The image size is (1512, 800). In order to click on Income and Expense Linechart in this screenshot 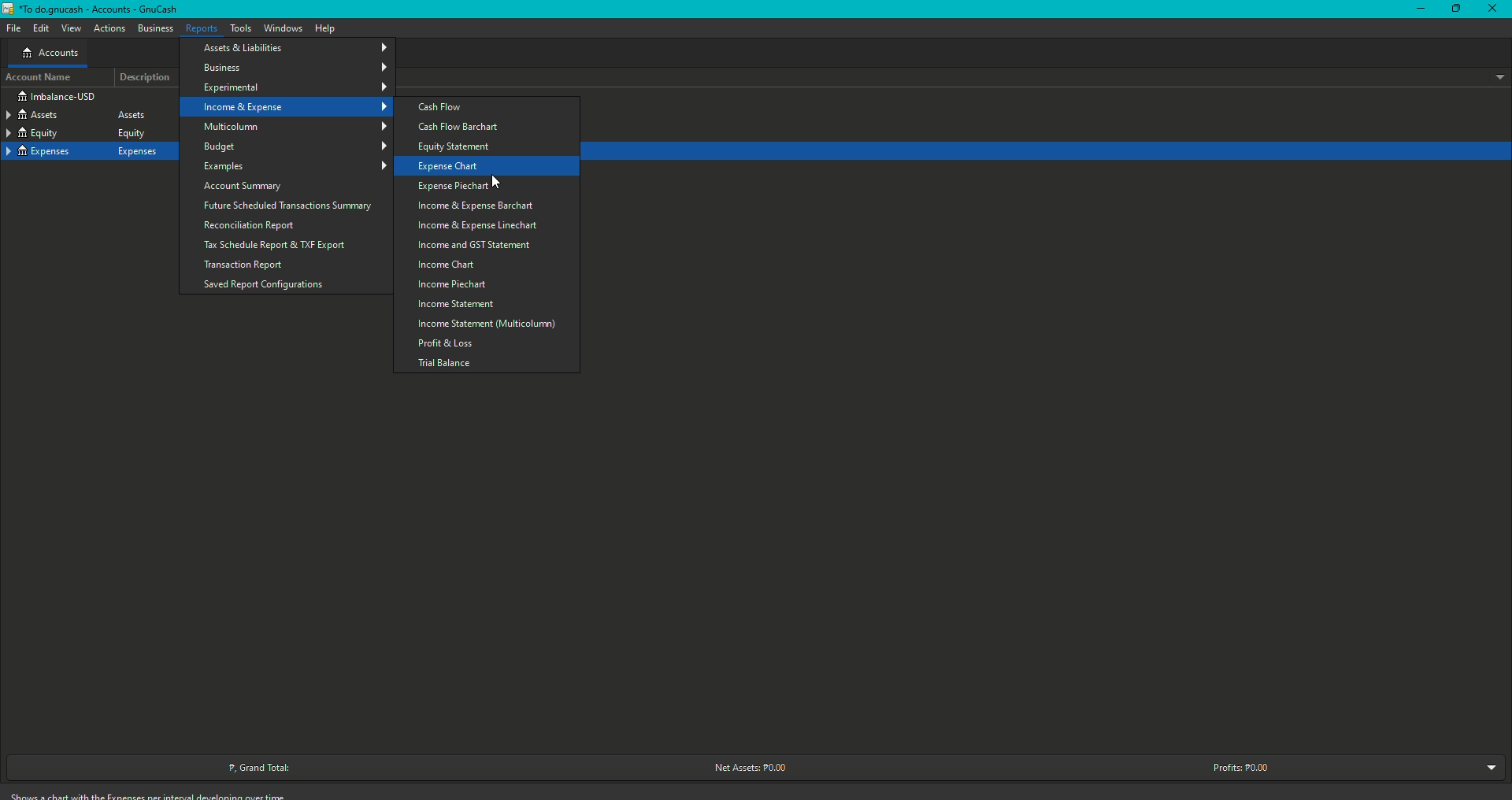, I will do `click(479, 226)`.